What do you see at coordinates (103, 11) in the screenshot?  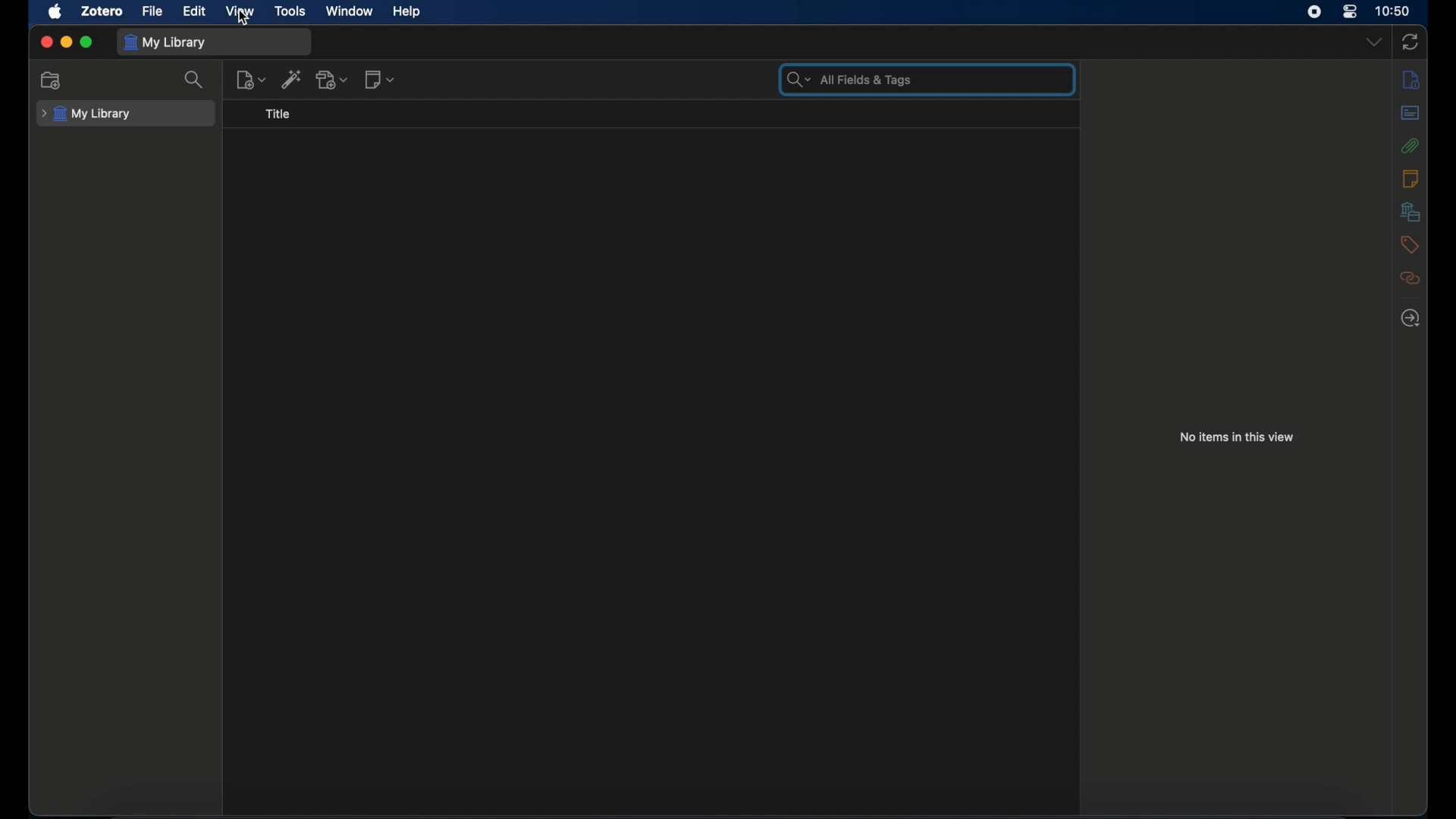 I see `zotero` at bounding box center [103, 11].